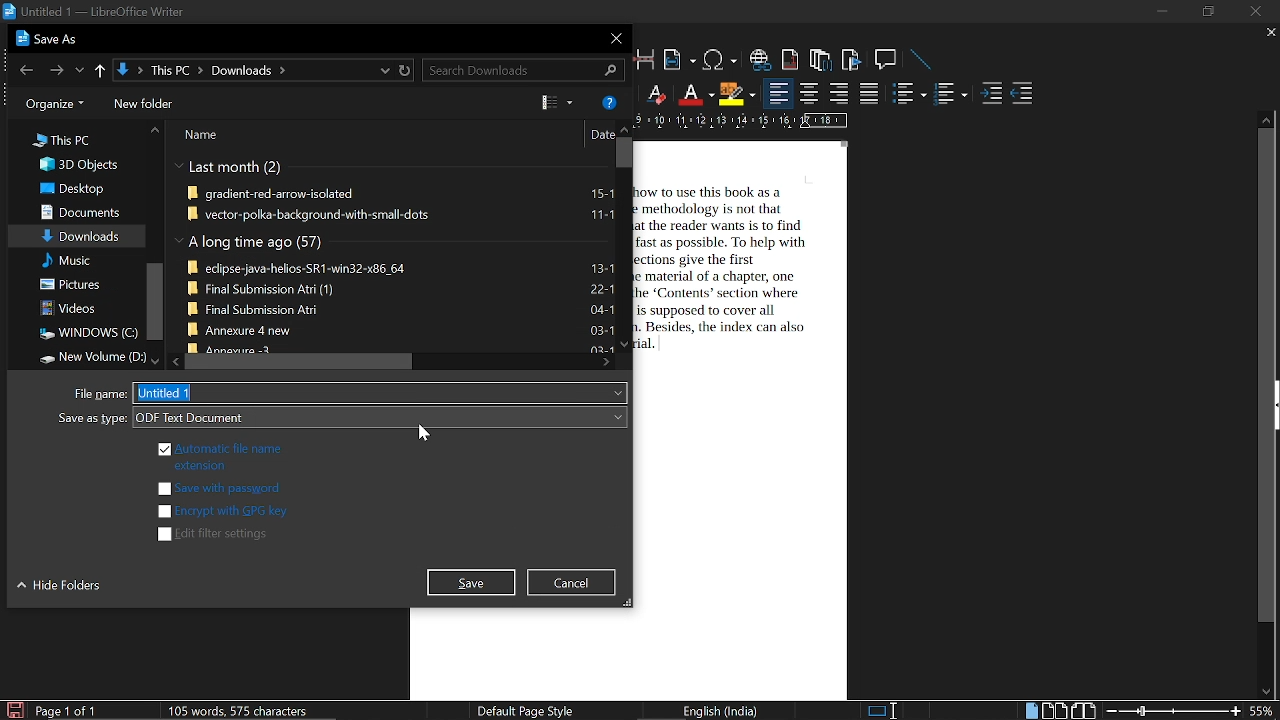  Describe the element at coordinates (472, 583) in the screenshot. I see `save` at that location.